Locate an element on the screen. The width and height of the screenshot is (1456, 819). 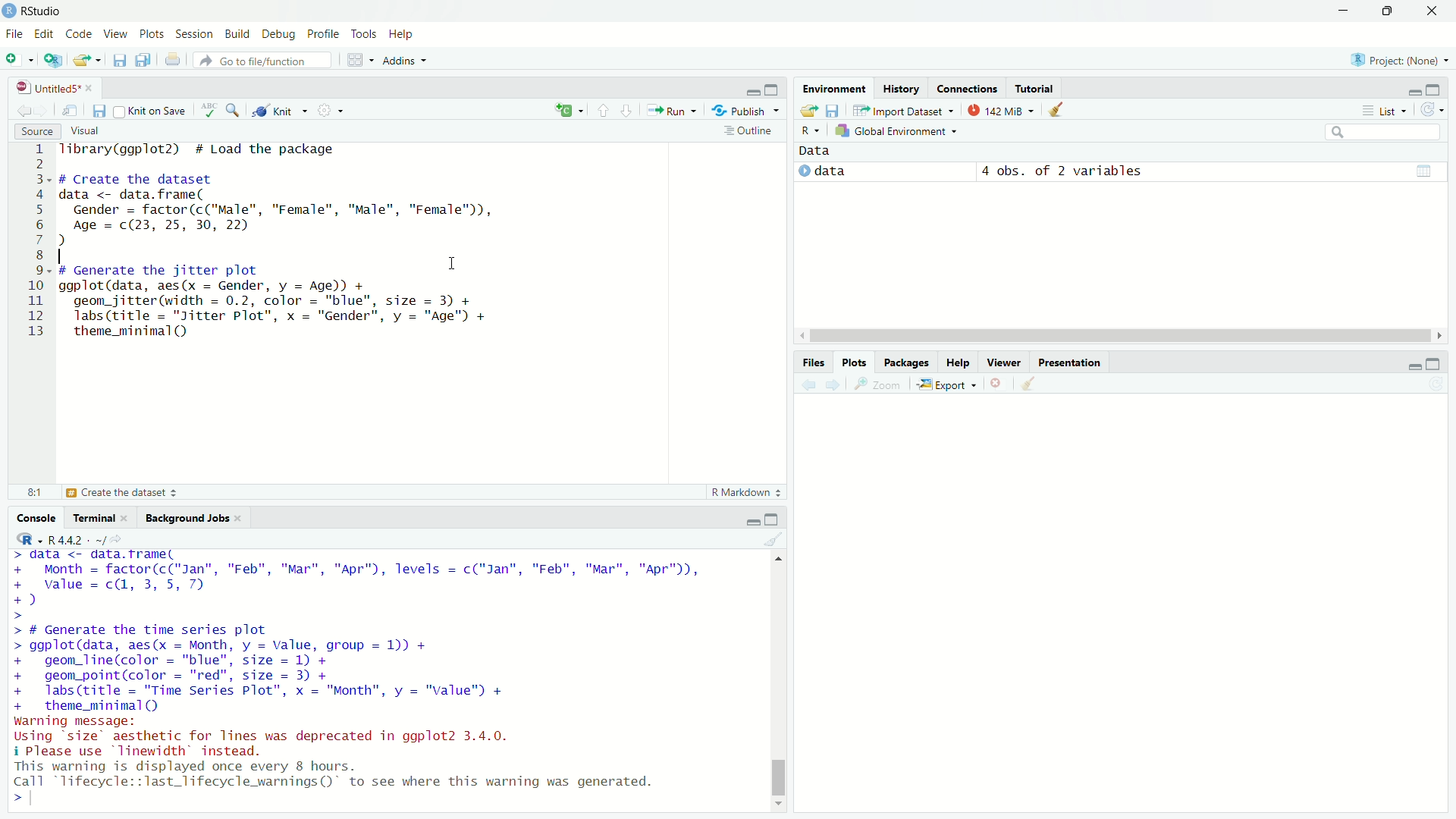
scrollbar is located at coordinates (777, 683).